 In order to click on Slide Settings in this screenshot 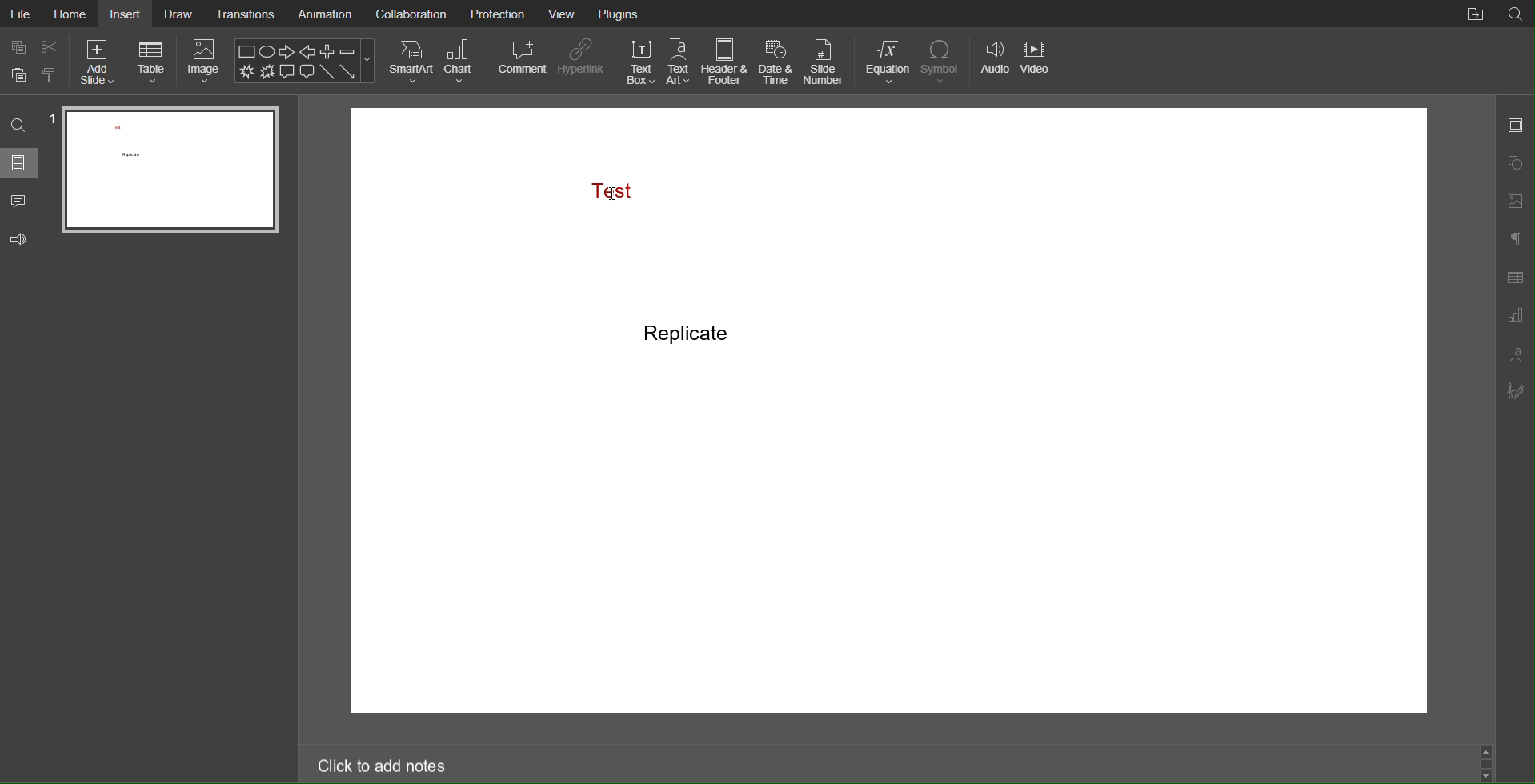, I will do `click(1516, 124)`.